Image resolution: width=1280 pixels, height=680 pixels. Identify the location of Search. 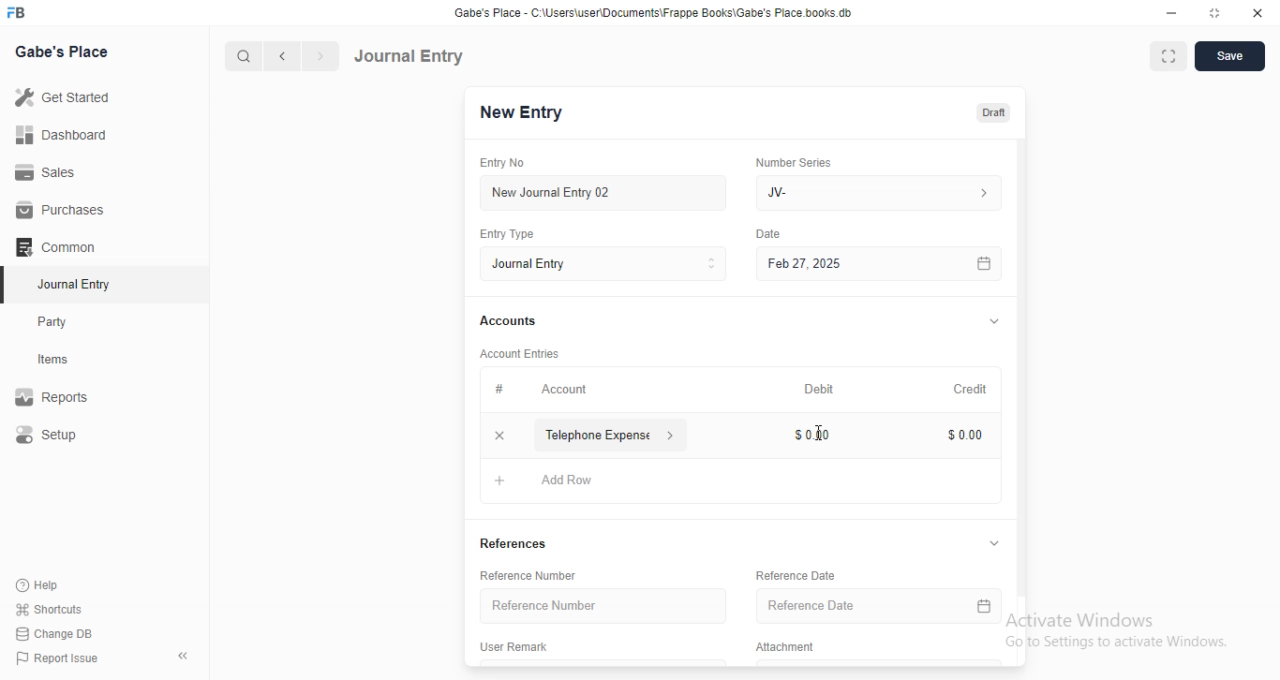
(239, 56).